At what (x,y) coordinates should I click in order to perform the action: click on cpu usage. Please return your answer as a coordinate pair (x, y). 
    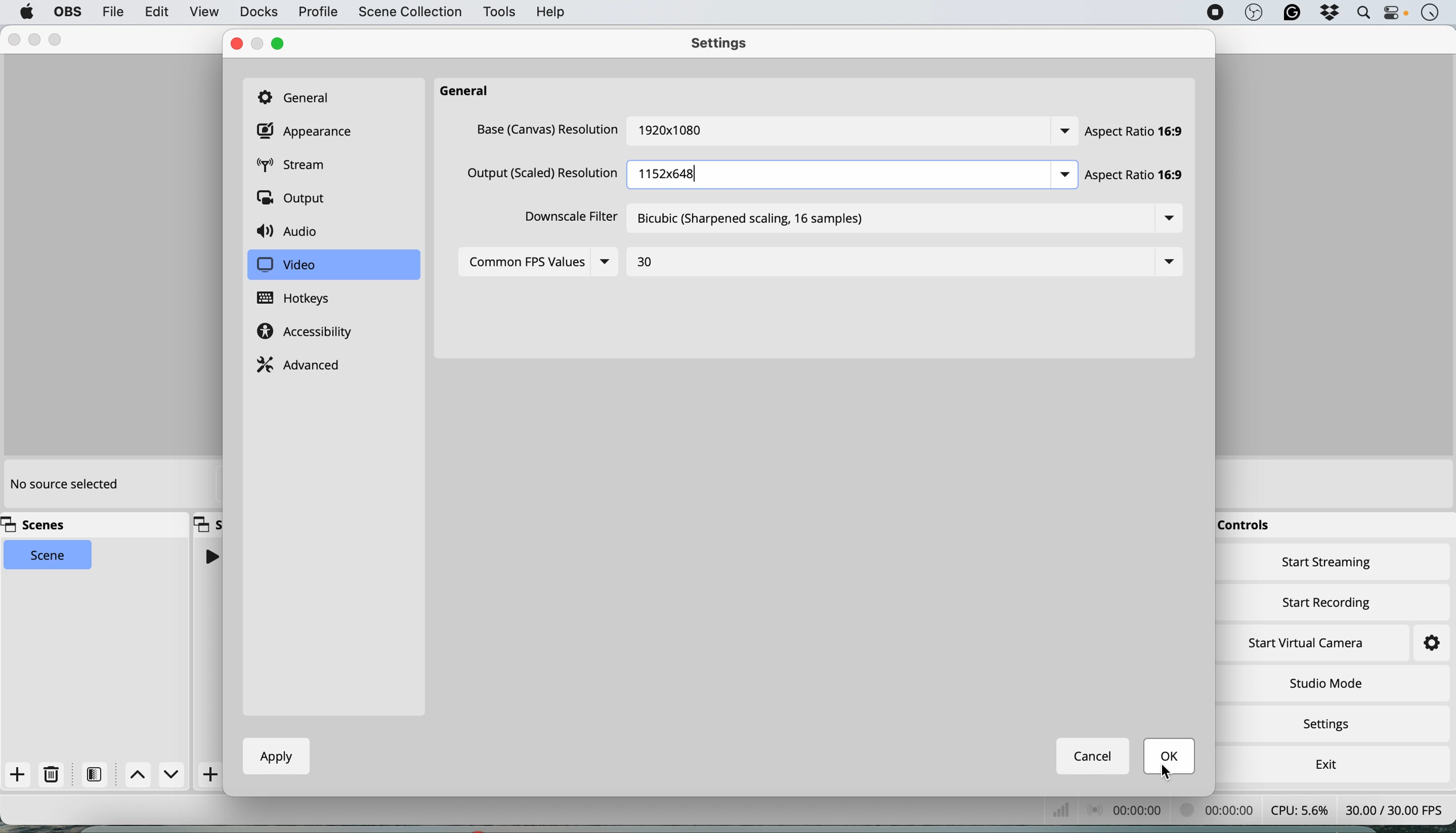
    Looking at the image, I should click on (1300, 810).